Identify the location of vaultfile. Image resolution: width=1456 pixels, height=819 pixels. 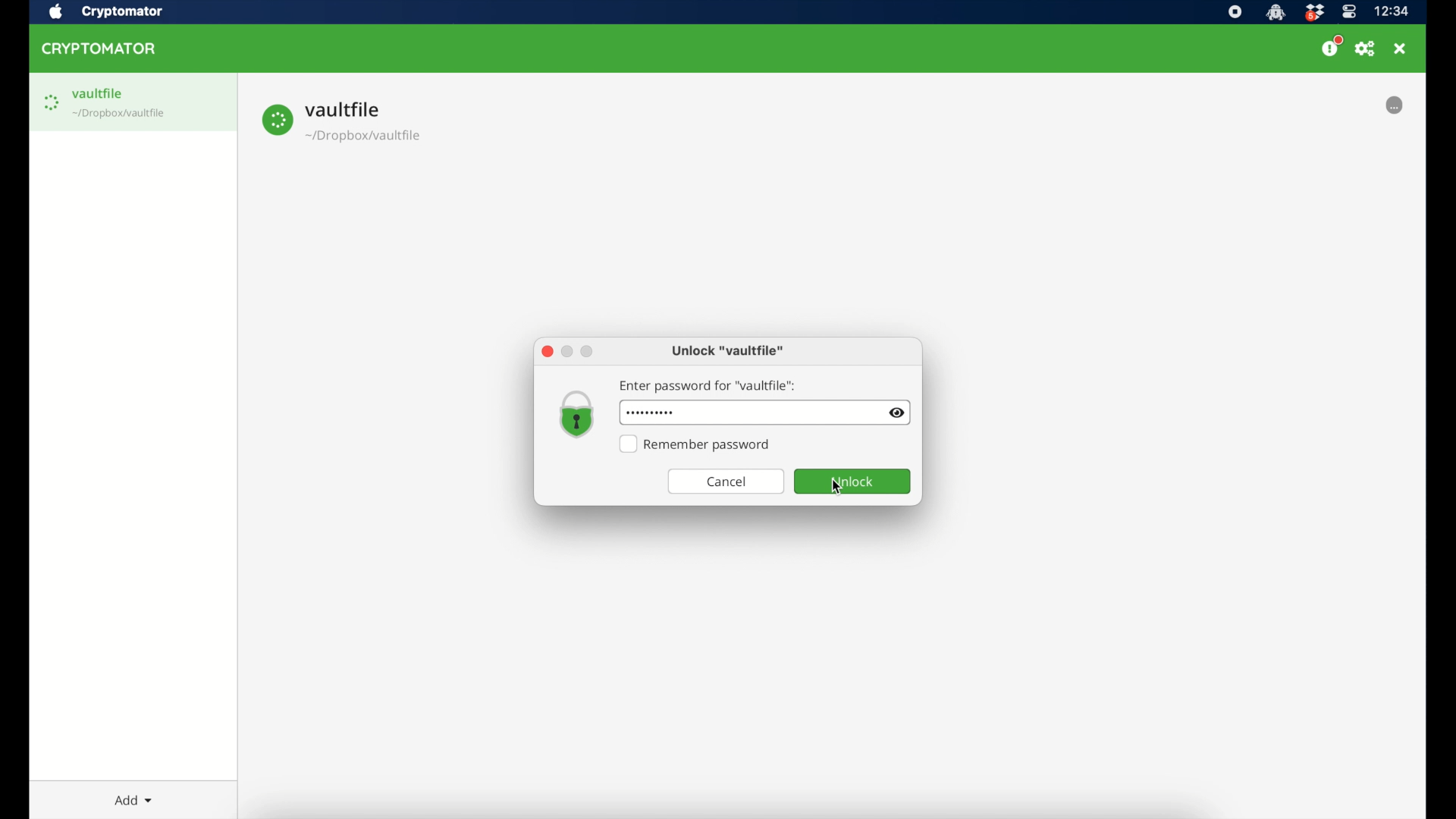
(133, 102).